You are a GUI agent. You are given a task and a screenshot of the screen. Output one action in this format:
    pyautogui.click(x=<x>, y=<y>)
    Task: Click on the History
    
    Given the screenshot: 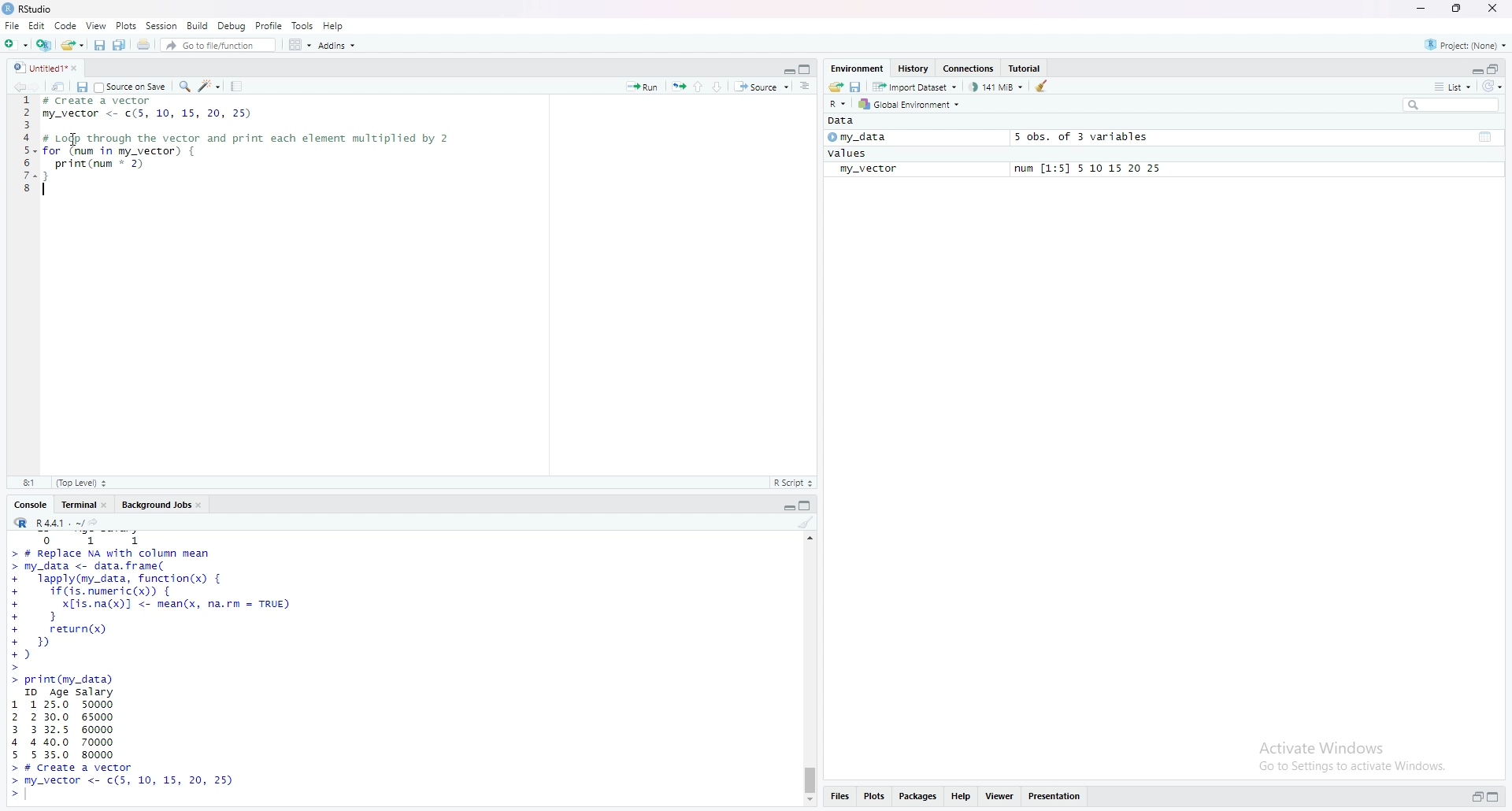 What is the action you would take?
    pyautogui.click(x=914, y=67)
    